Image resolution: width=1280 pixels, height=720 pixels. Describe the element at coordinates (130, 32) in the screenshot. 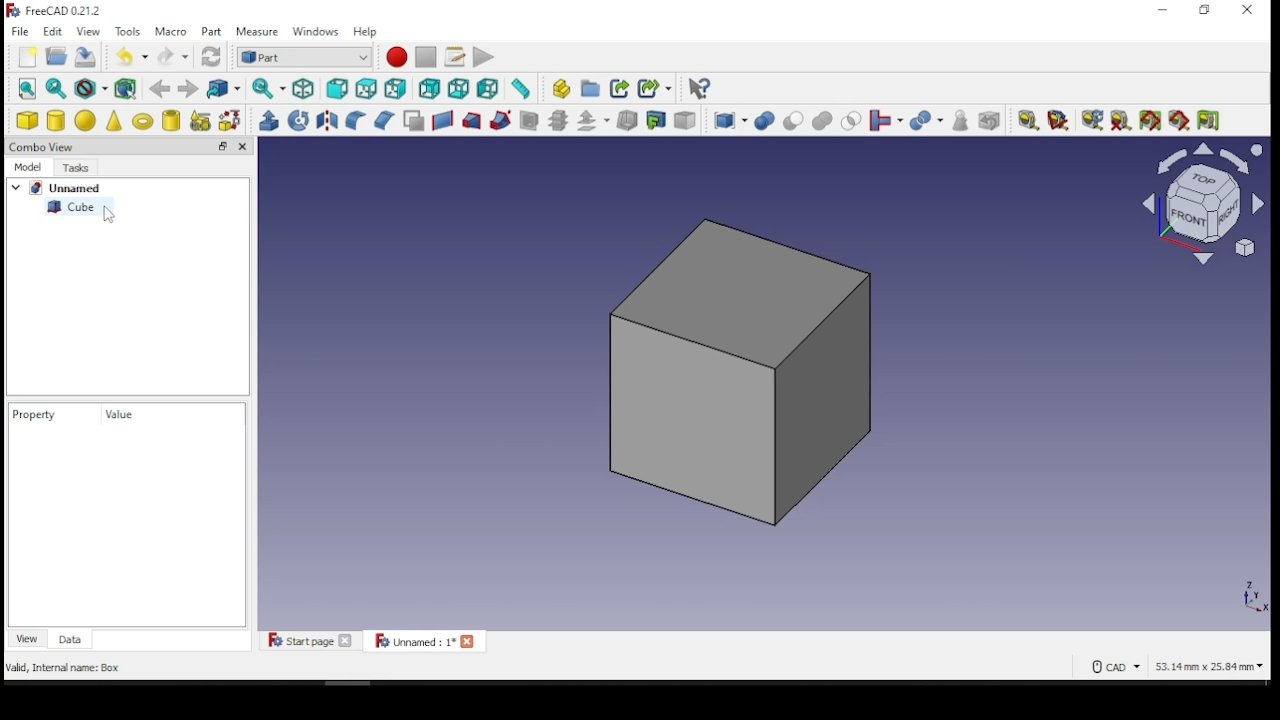

I see `tools` at that location.